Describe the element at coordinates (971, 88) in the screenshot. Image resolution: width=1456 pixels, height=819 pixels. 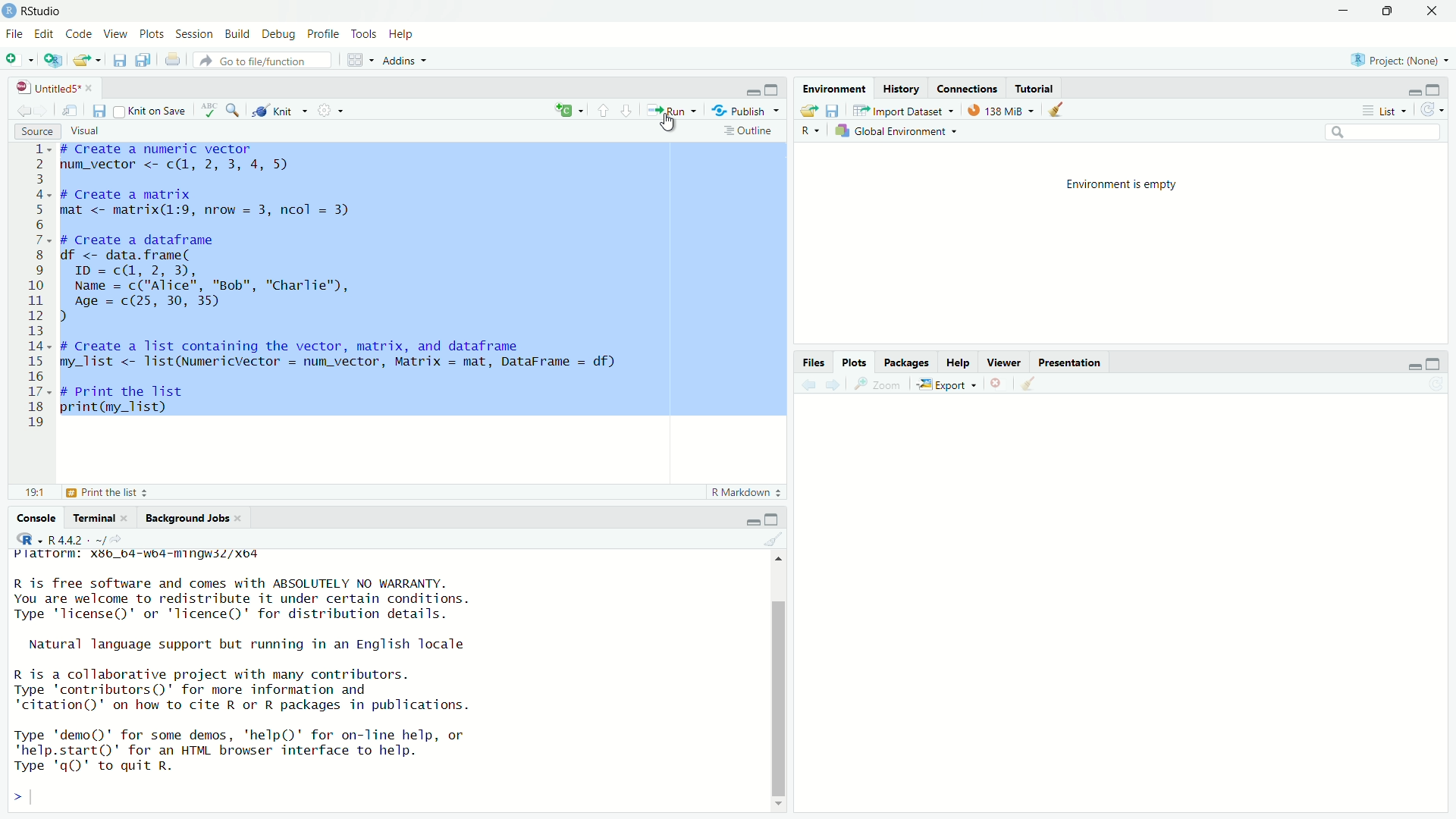
I see `Connections` at that location.